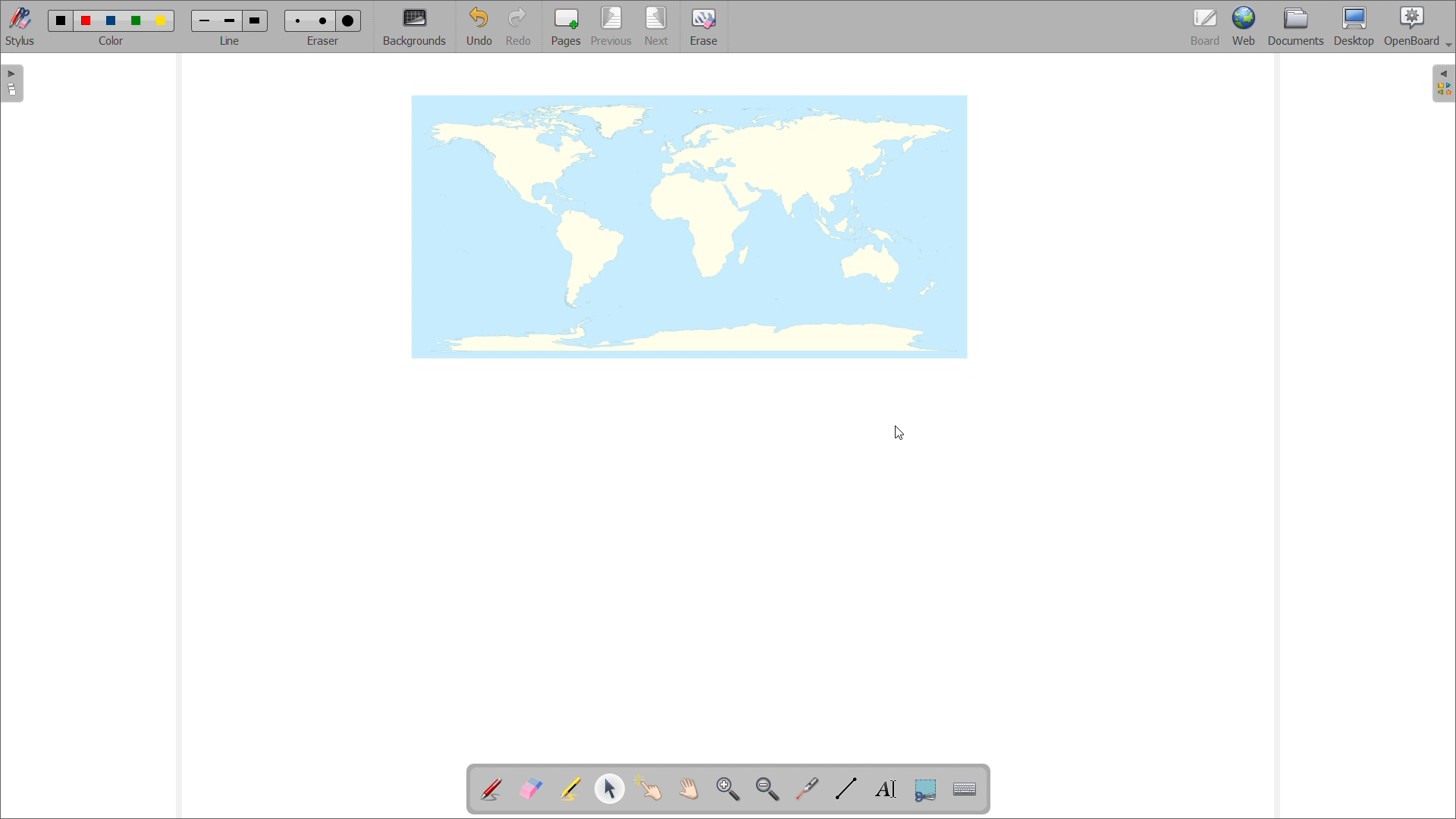 The image size is (1456, 819). Describe the element at coordinates (927, 789) in the screenshot. I see `capture part of the screen` at that location.